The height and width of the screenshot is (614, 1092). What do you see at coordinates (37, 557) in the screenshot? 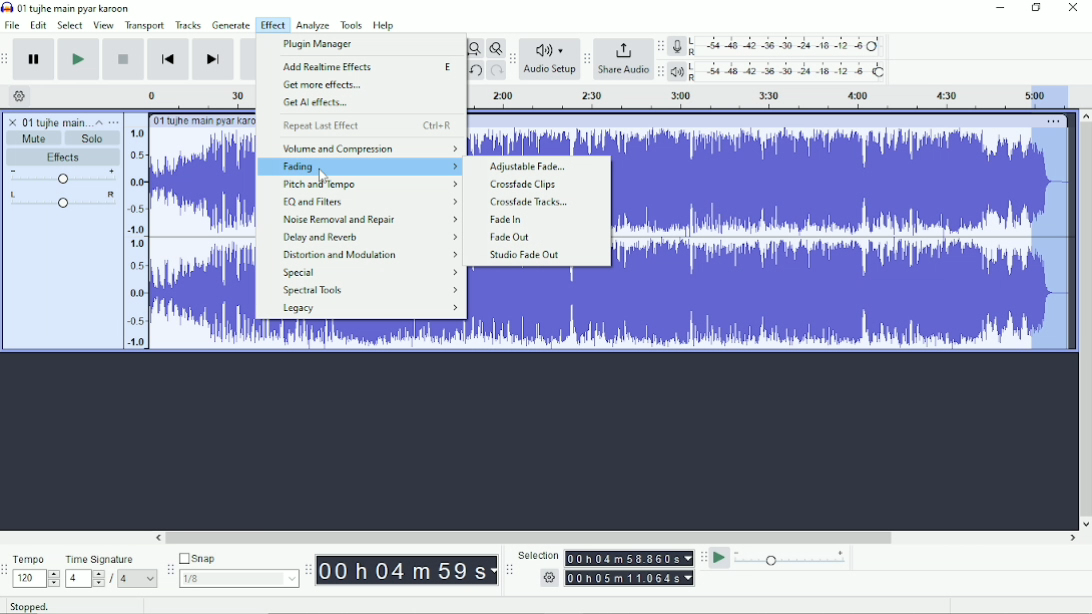
I see `Tempo` at bounding box center [37, 557].